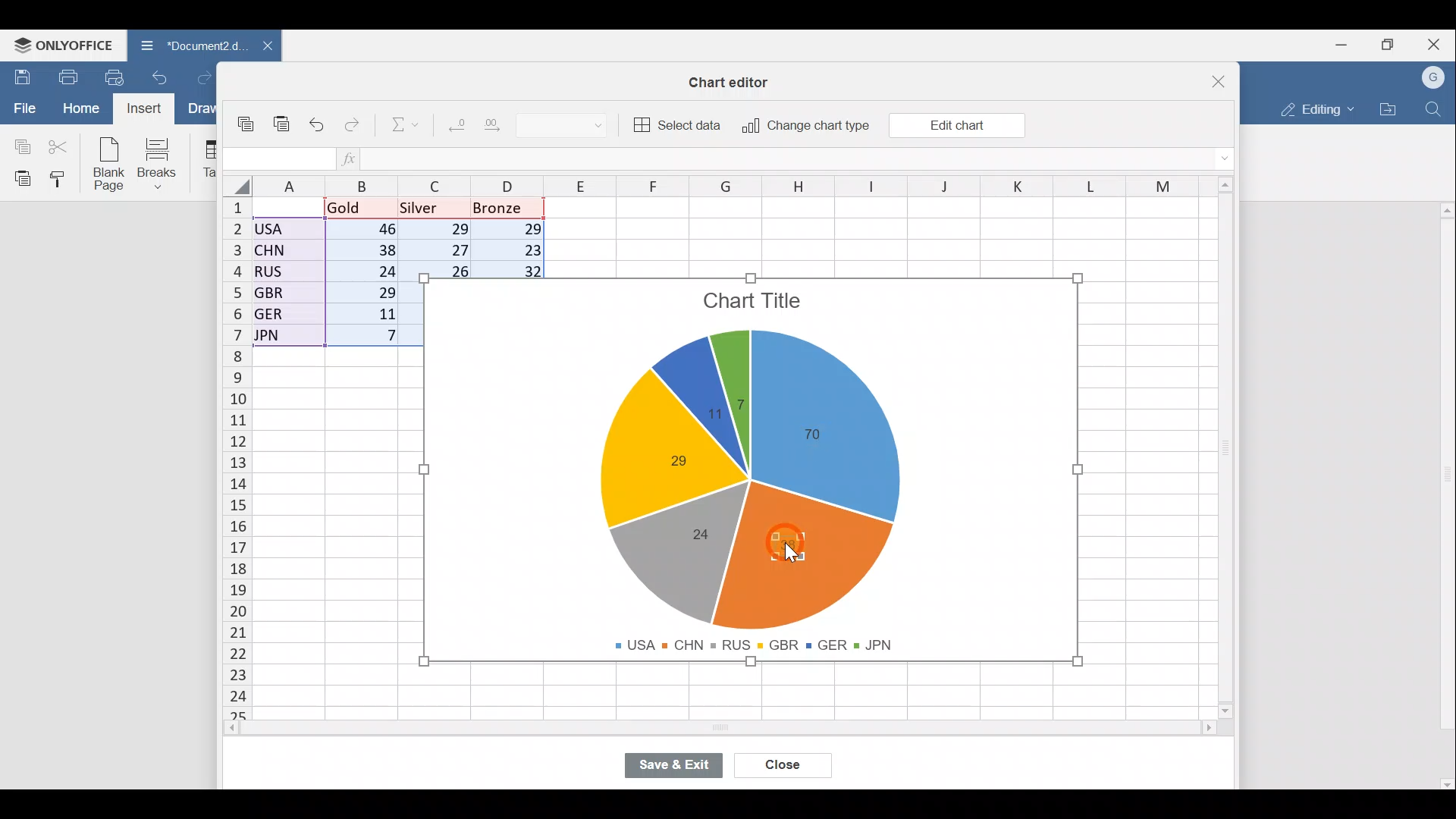  I want to click on Columns, so click(745, 186).